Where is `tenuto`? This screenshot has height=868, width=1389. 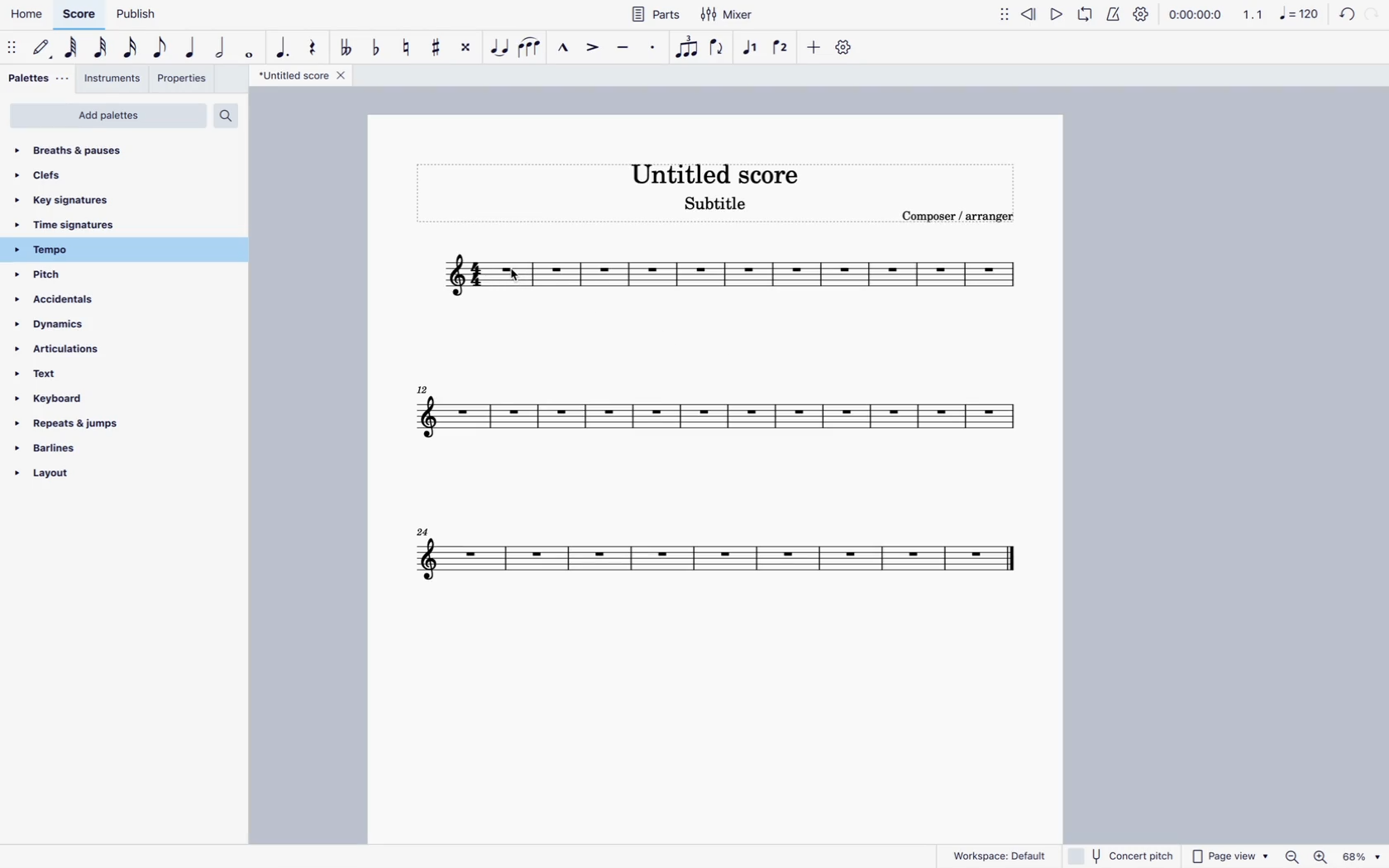 tenuto is located at coordinates (624, 50).